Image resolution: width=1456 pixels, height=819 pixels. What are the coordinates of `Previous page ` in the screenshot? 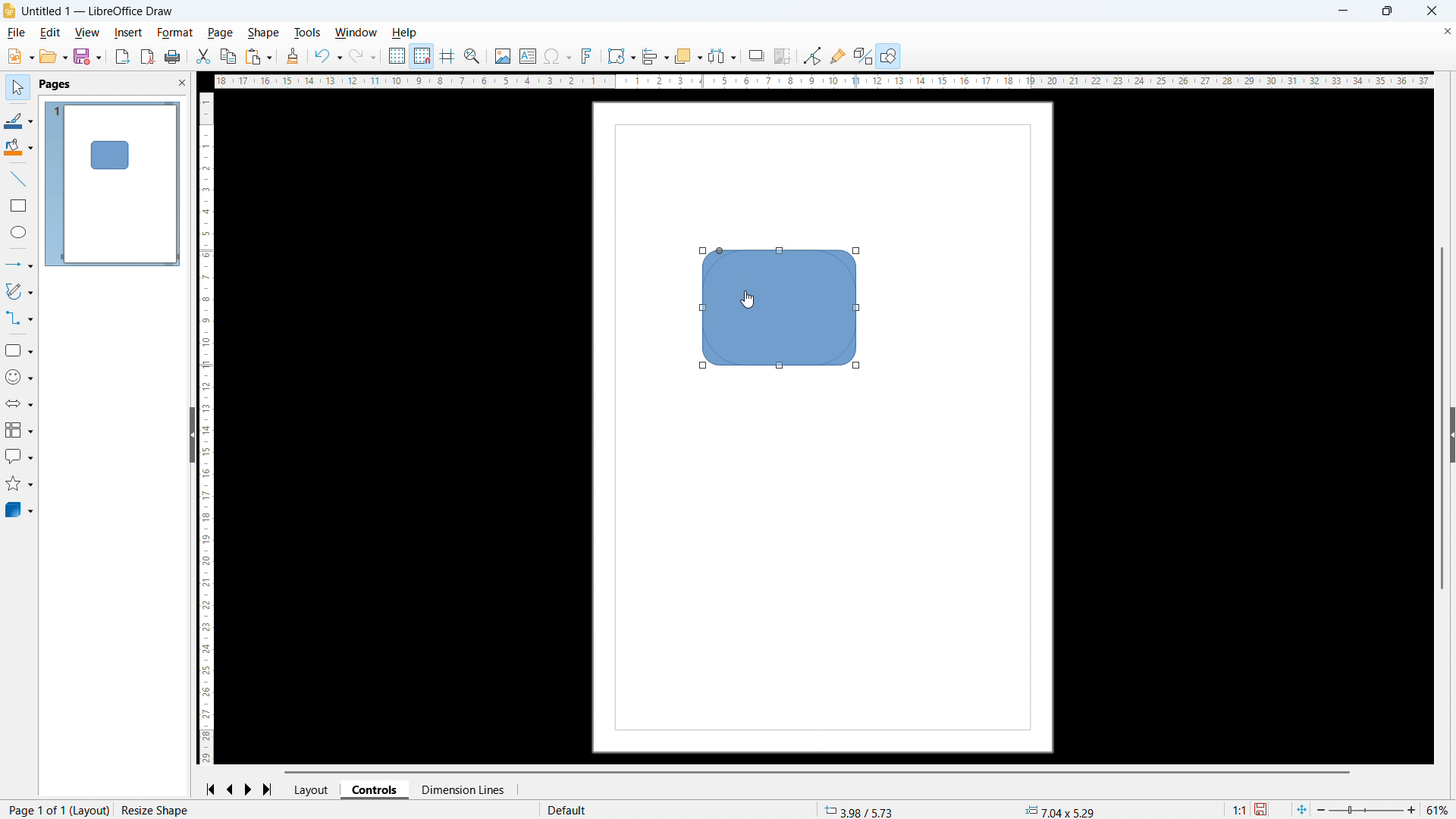 It's located at (230, 789).